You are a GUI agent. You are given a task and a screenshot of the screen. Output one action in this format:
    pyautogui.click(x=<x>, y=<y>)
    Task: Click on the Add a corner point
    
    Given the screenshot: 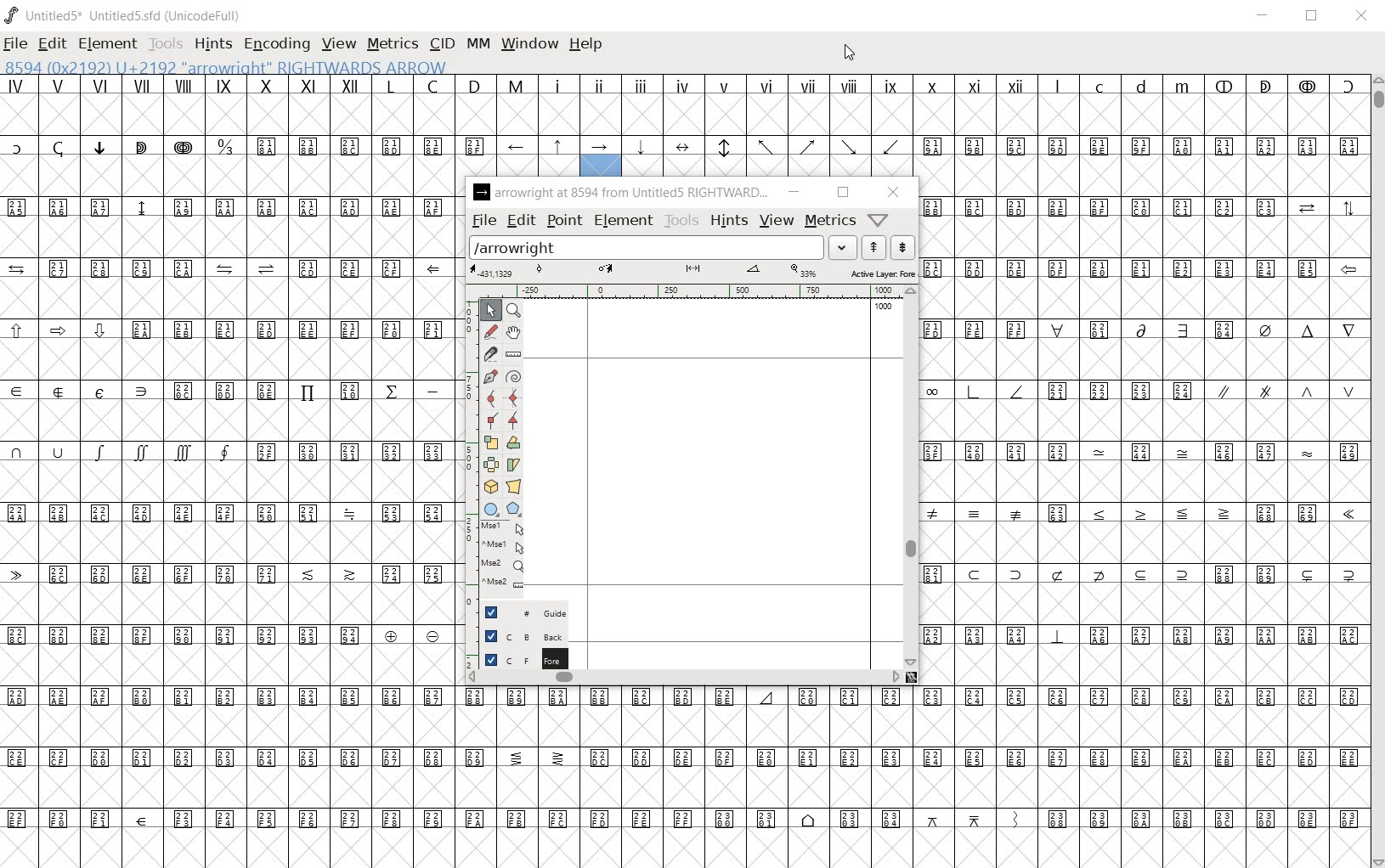 What is the action you would take?
    pyautogui.click(x=514, y=420)
    